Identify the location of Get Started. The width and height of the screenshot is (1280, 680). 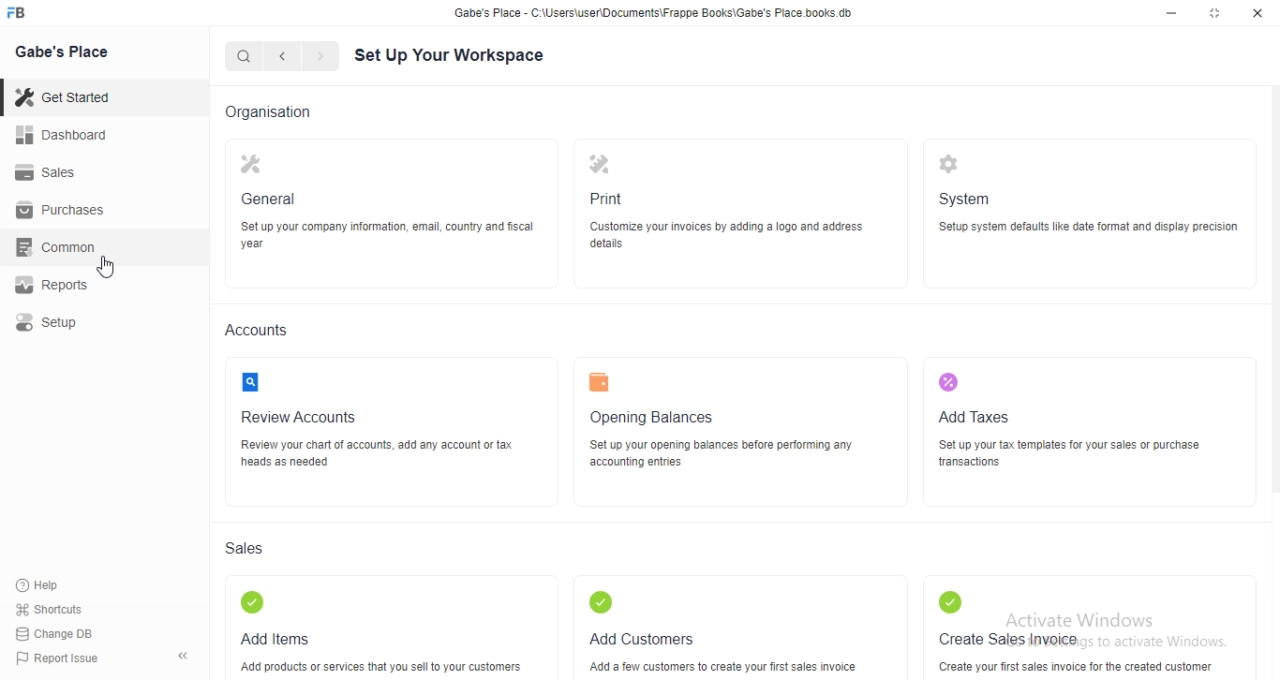
(67, 97).